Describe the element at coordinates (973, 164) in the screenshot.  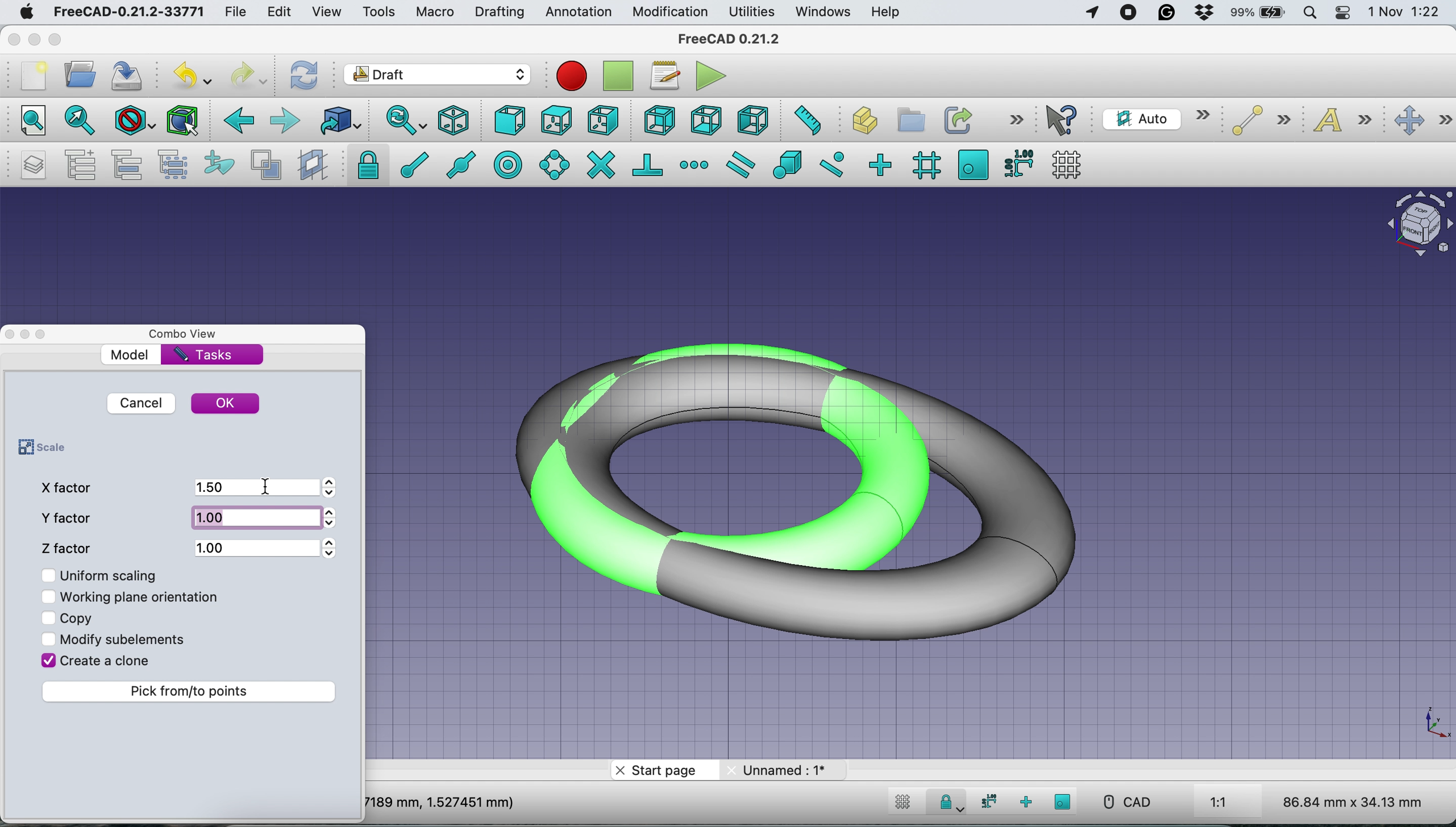
I see `snap working plane` at that location.